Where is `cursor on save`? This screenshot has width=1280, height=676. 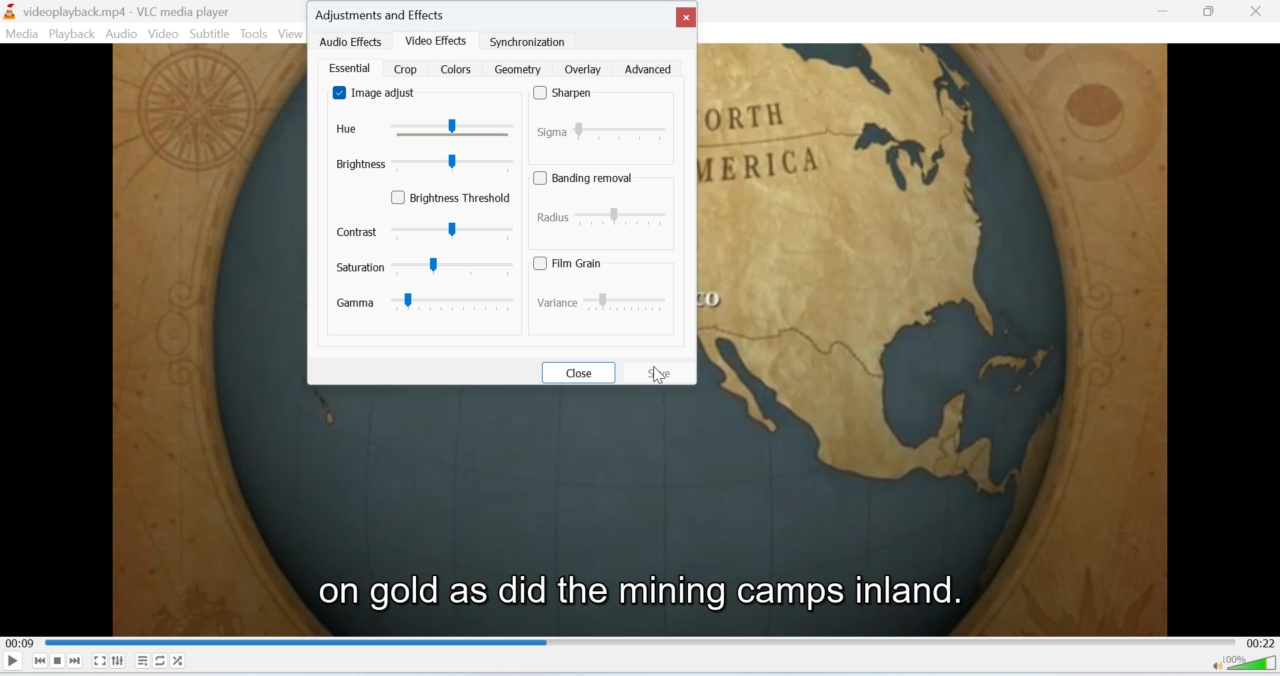 cursor on save is located at coordinates (667, 380).